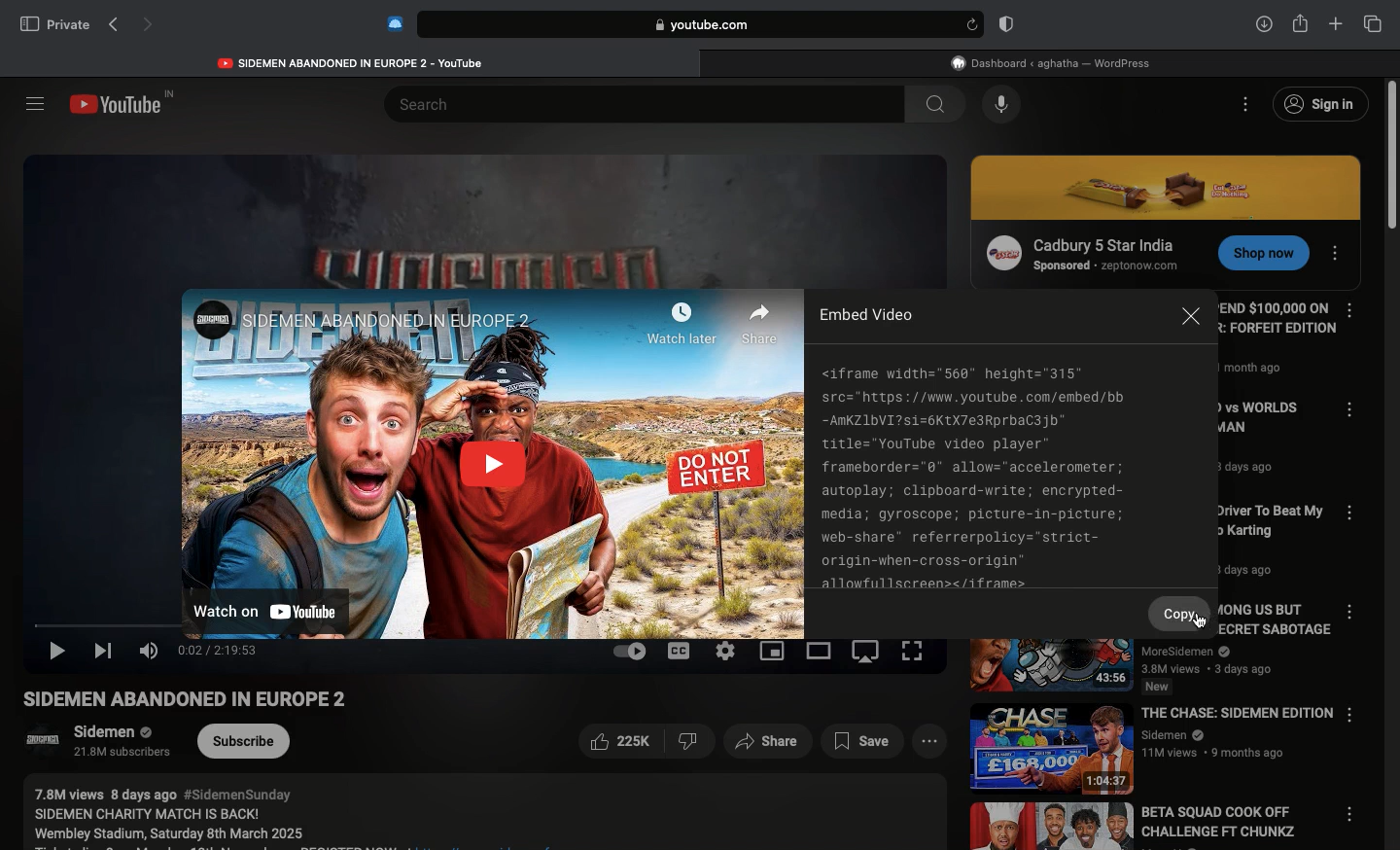 This screenshot has height=850, width=1400. Describe the element at coordinates (682, 24) in the screenshot. I see `Search bar` at that location.